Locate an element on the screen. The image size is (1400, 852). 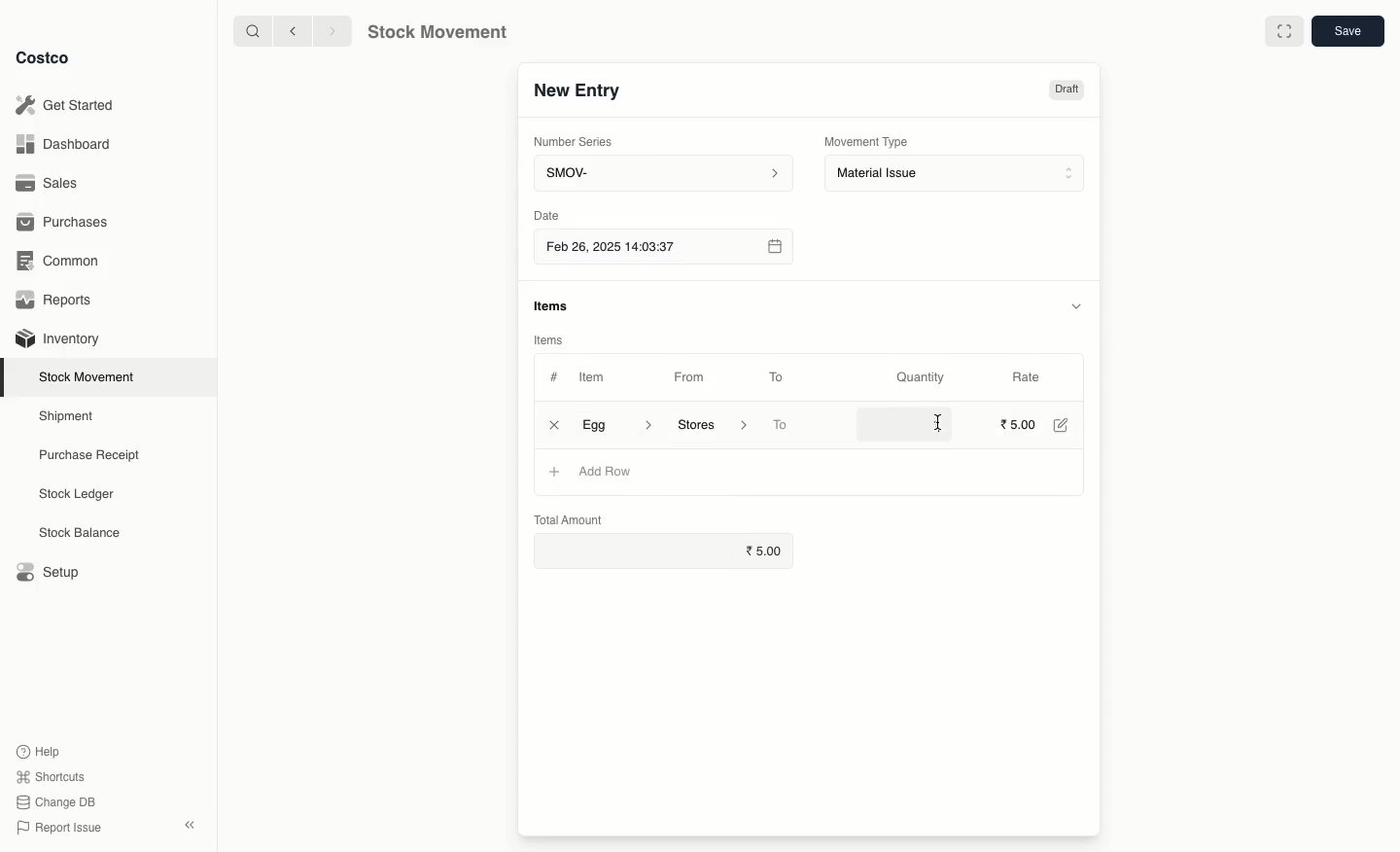
cursor is located at coordinates (935, 421).